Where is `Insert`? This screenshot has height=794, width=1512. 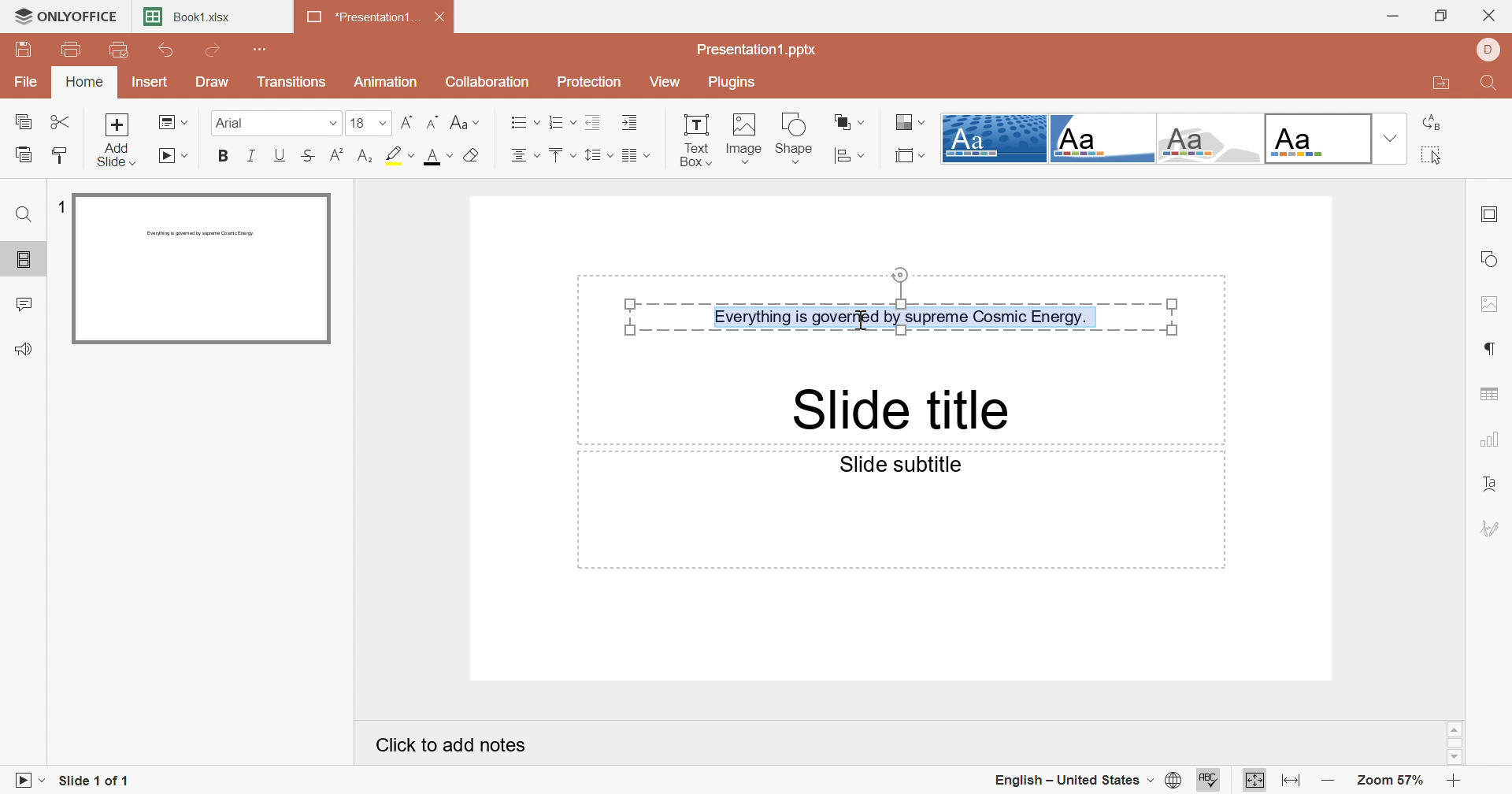 Insert is located at coordinates (149, 80).